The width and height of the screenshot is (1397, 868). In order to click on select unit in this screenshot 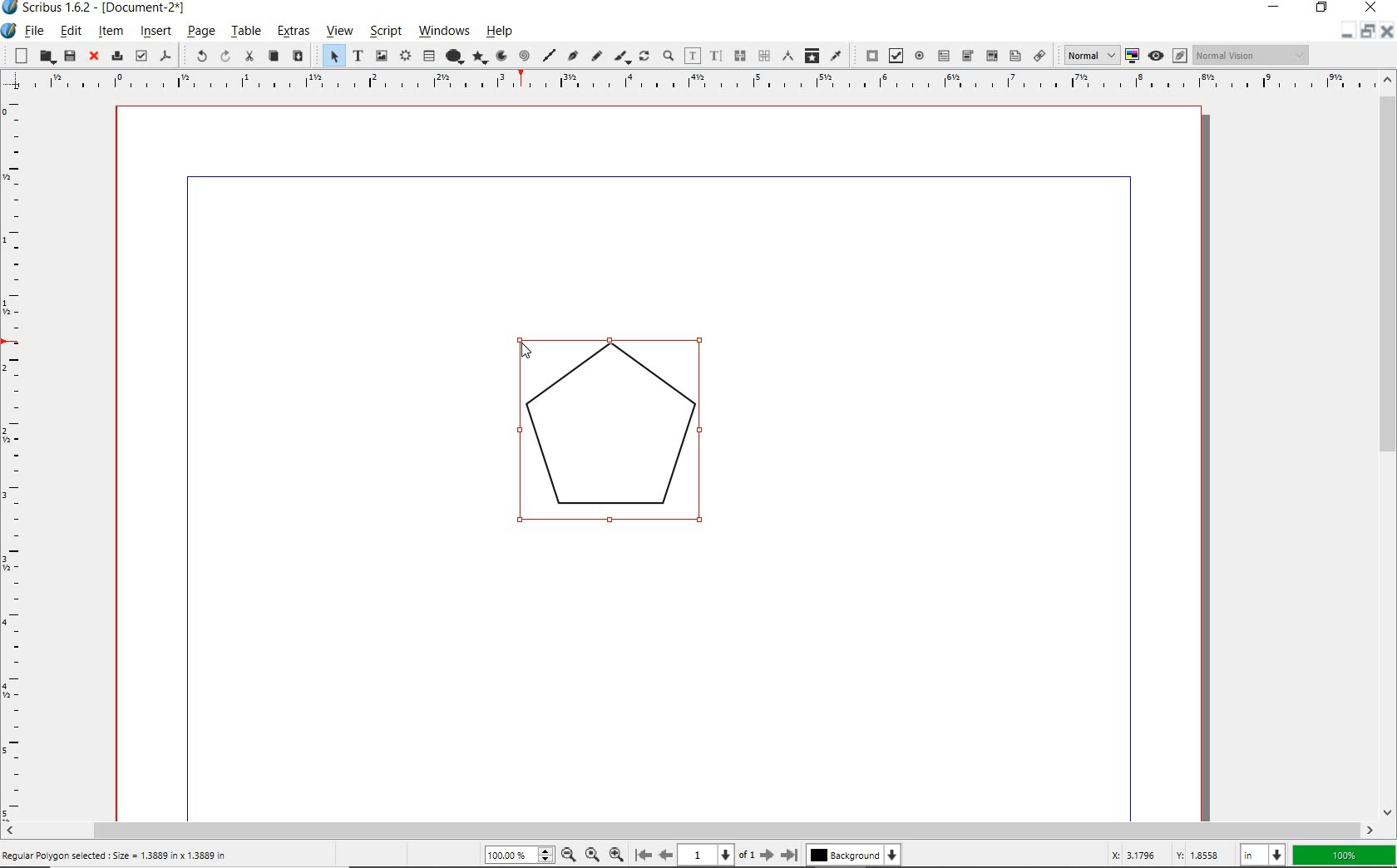, I will do `click(1261, 854)`.